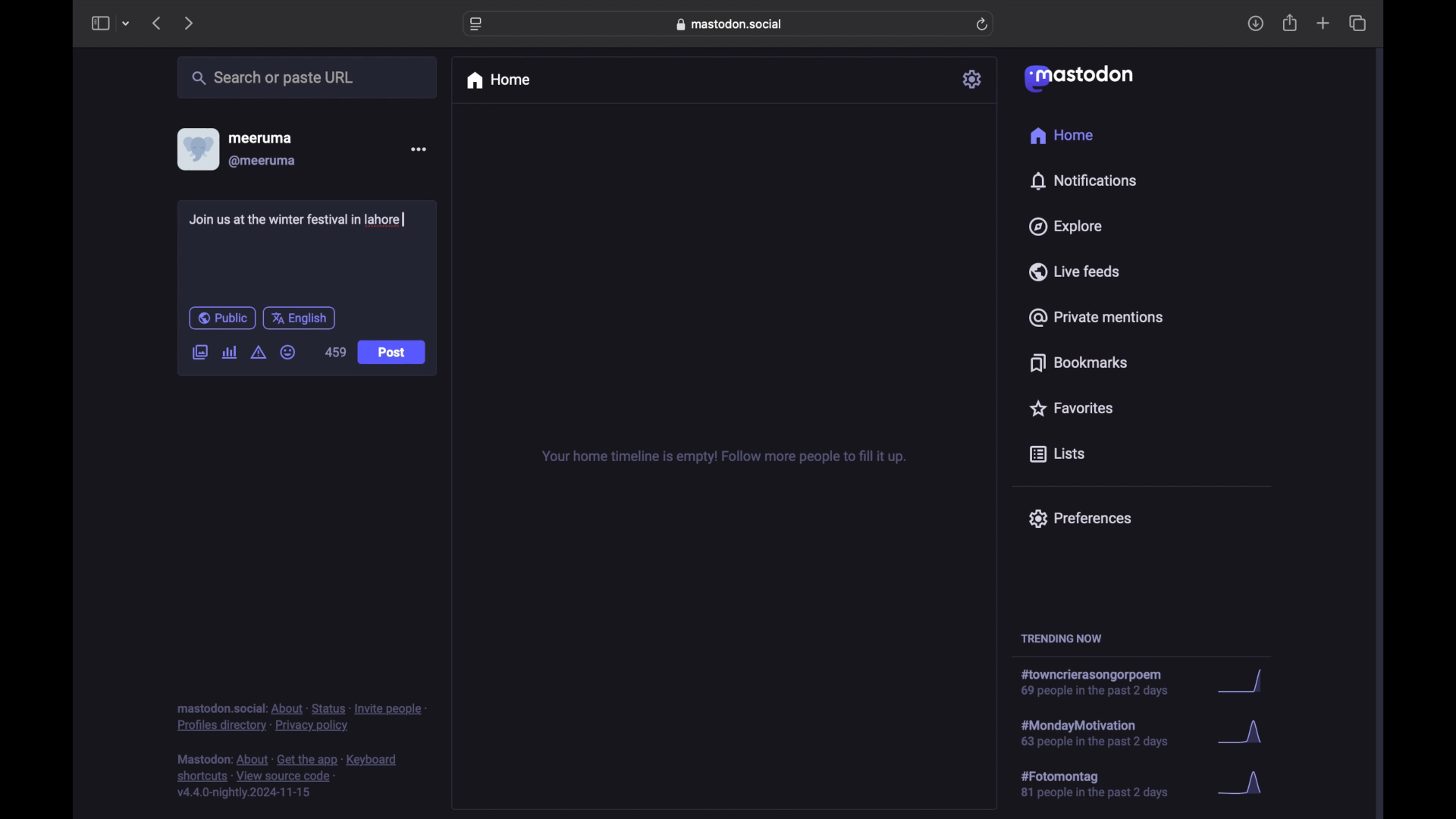 Image resolution: width=1456 pixels, height=819 pixels. Describe the element at coordinates (1256, 24) in the screenshot. I see `download` at that location.